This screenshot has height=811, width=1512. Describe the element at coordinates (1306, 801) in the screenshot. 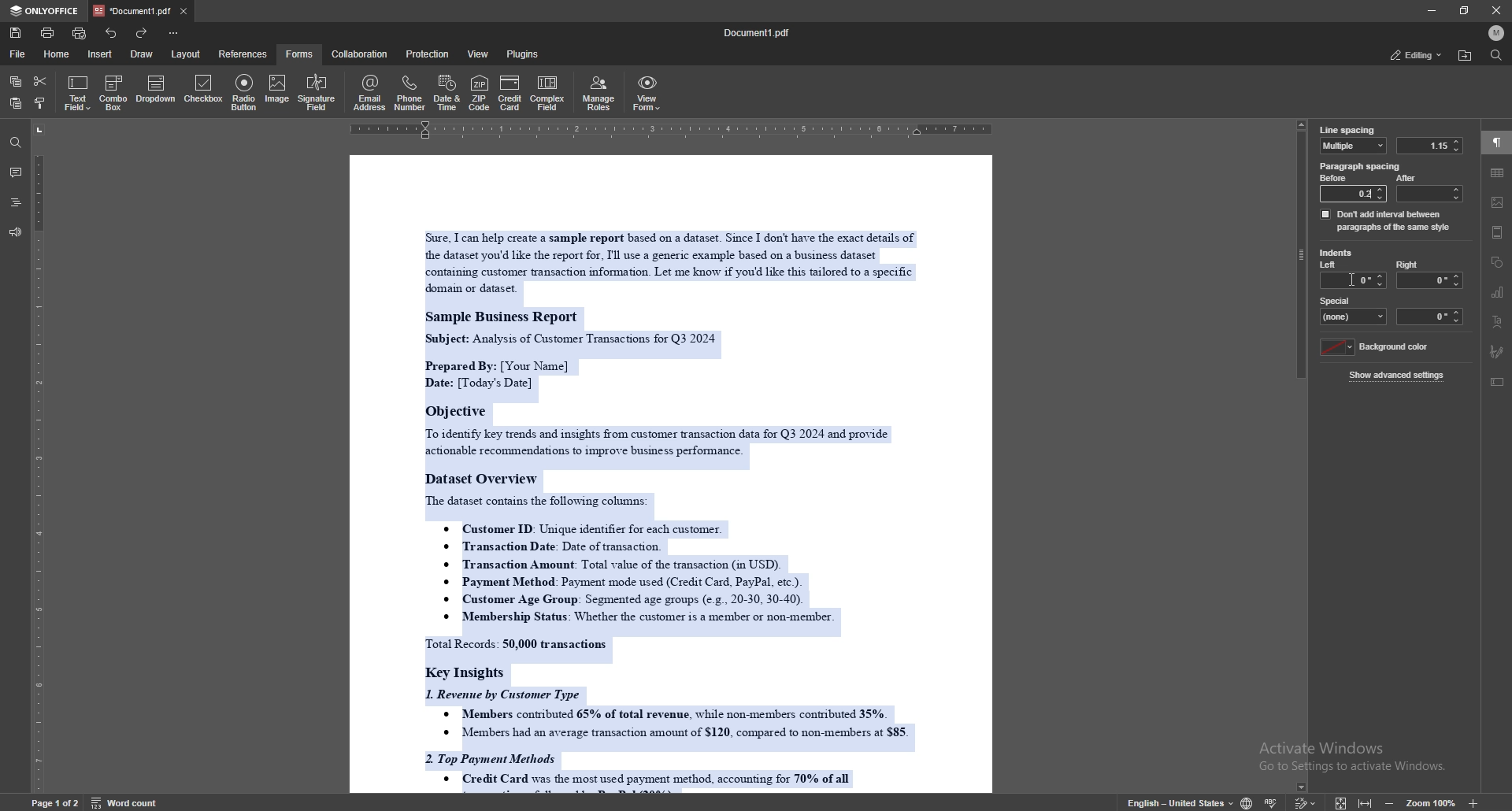

I see `track change` at that location.